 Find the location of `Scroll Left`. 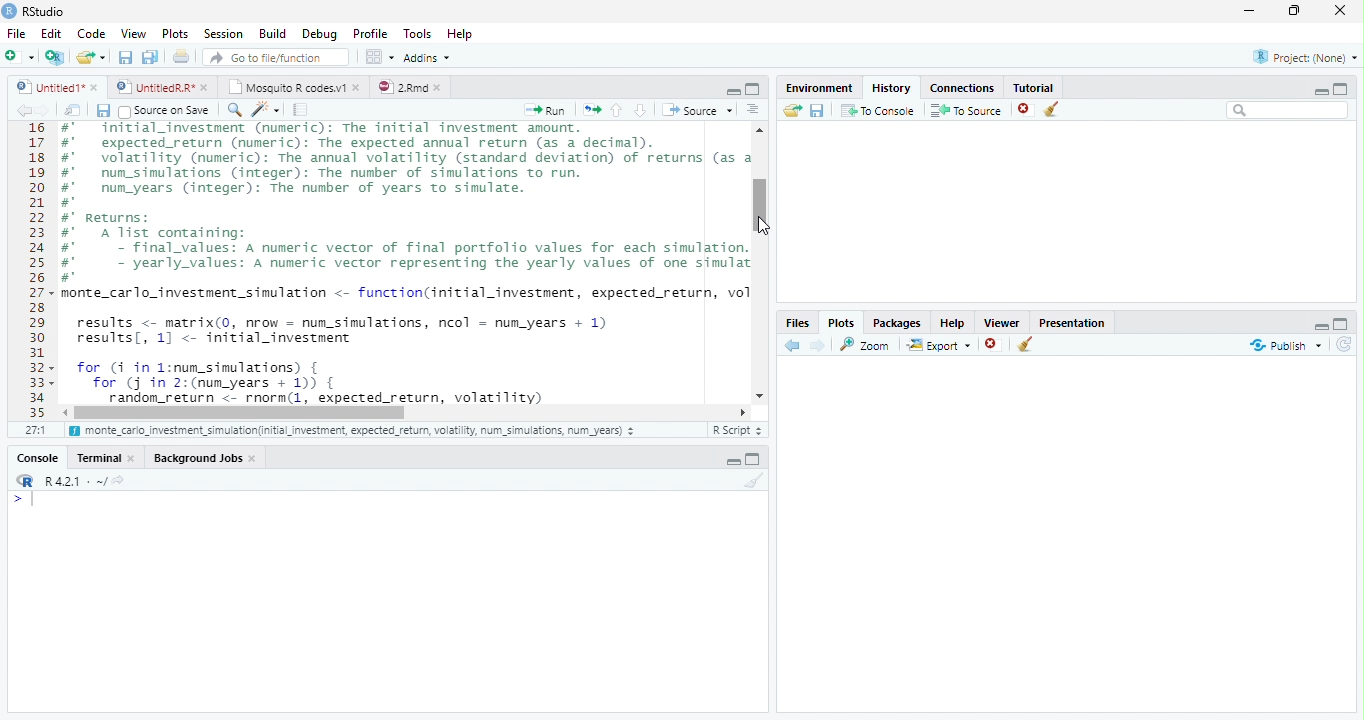

Scroll Left is located at coordinates (64, 412).